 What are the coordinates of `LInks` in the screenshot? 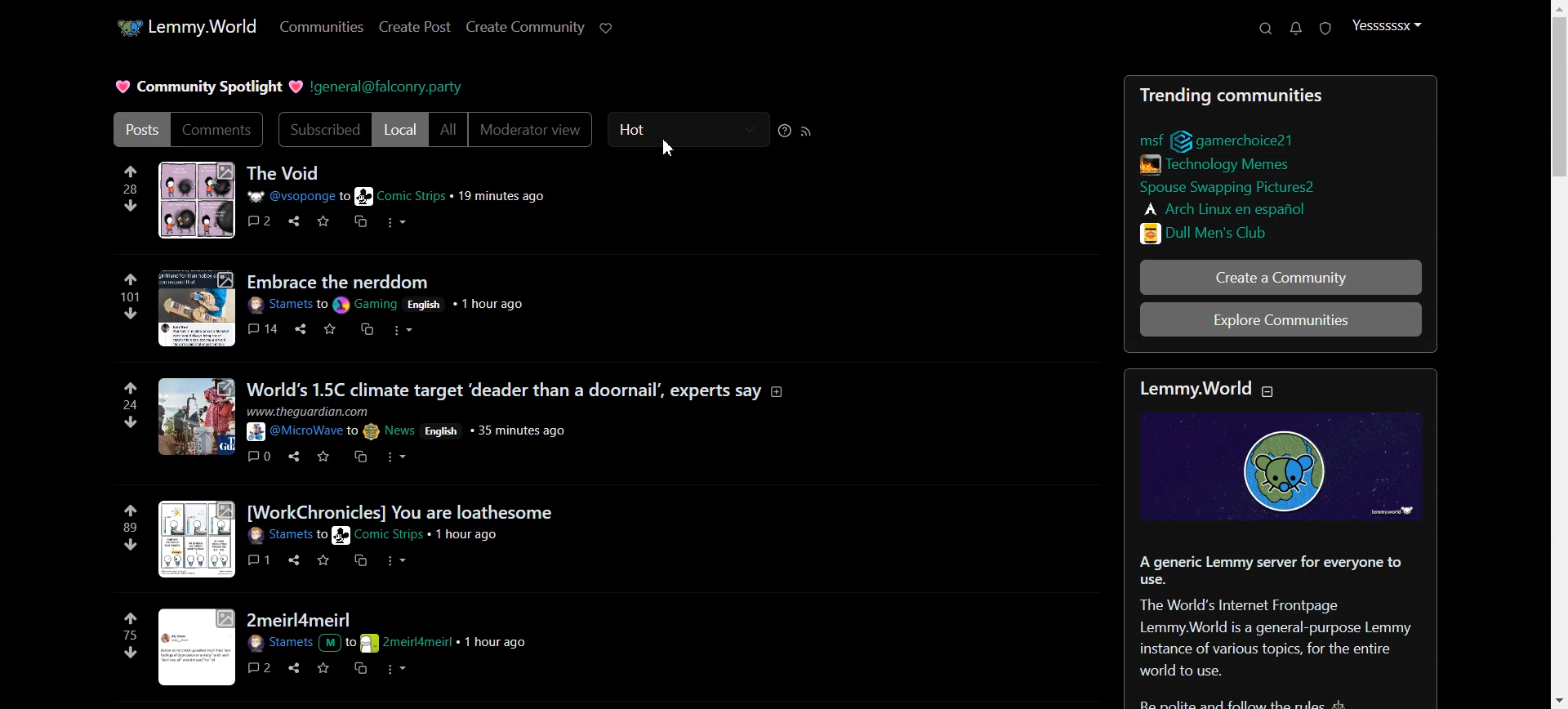 It's located at (1249, 139).